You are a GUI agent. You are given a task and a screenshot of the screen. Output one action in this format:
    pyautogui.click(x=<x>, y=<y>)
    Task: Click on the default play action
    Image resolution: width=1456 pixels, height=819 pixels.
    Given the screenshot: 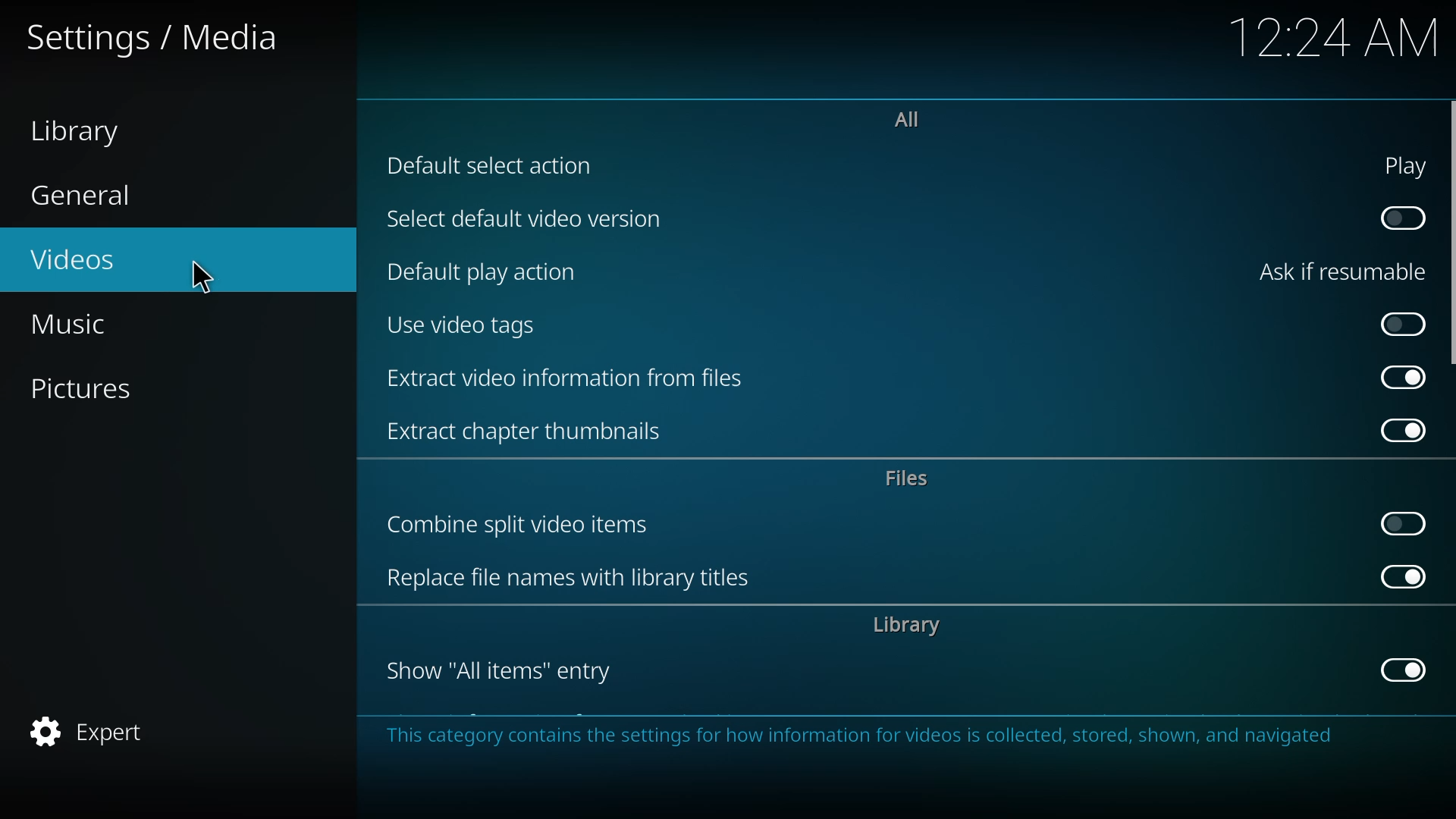 What is the action you would take?
    pyautogui.click(x=491, y=271)
    